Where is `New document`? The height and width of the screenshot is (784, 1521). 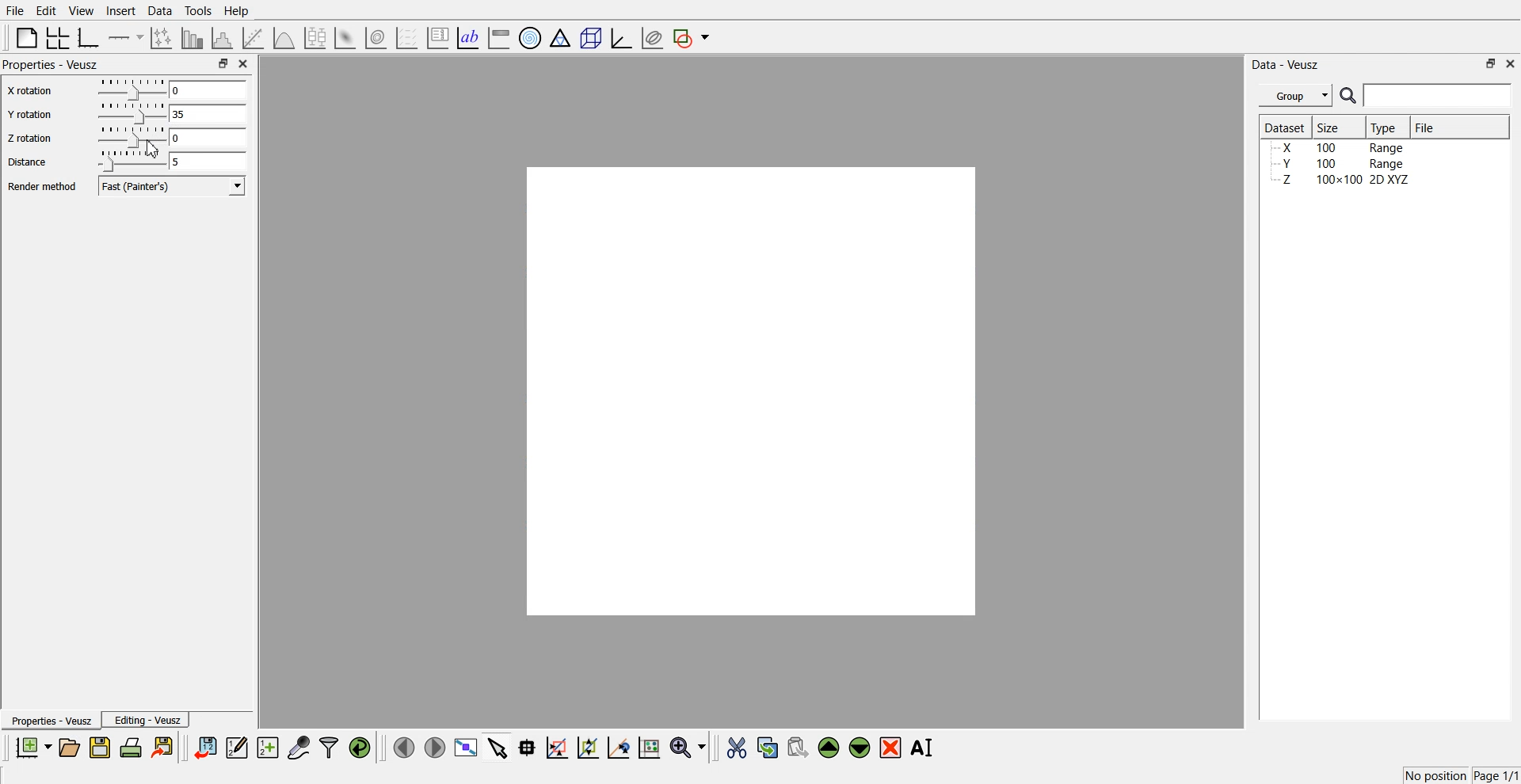
New document is located at coordinates (32, 747).